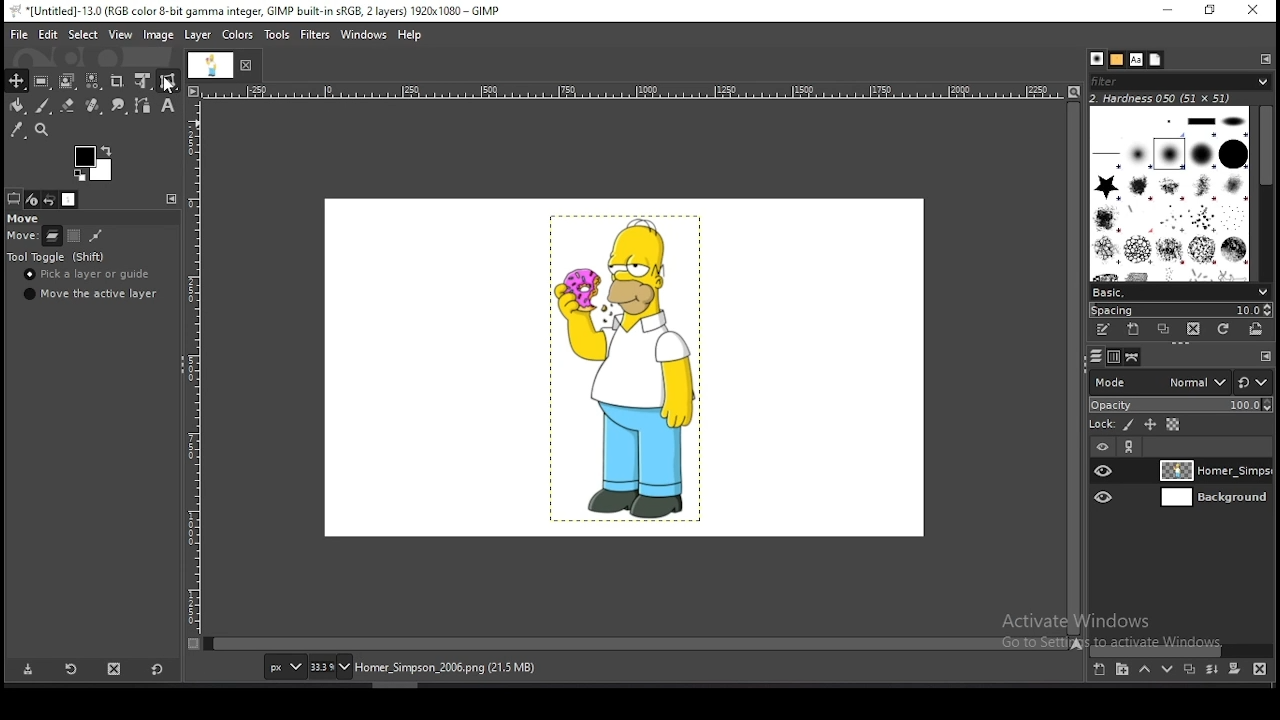 The image size is (1280, 720). Describe the element at coordinates (1232, 669) in the screenshot. I see `add a mask` at that location.